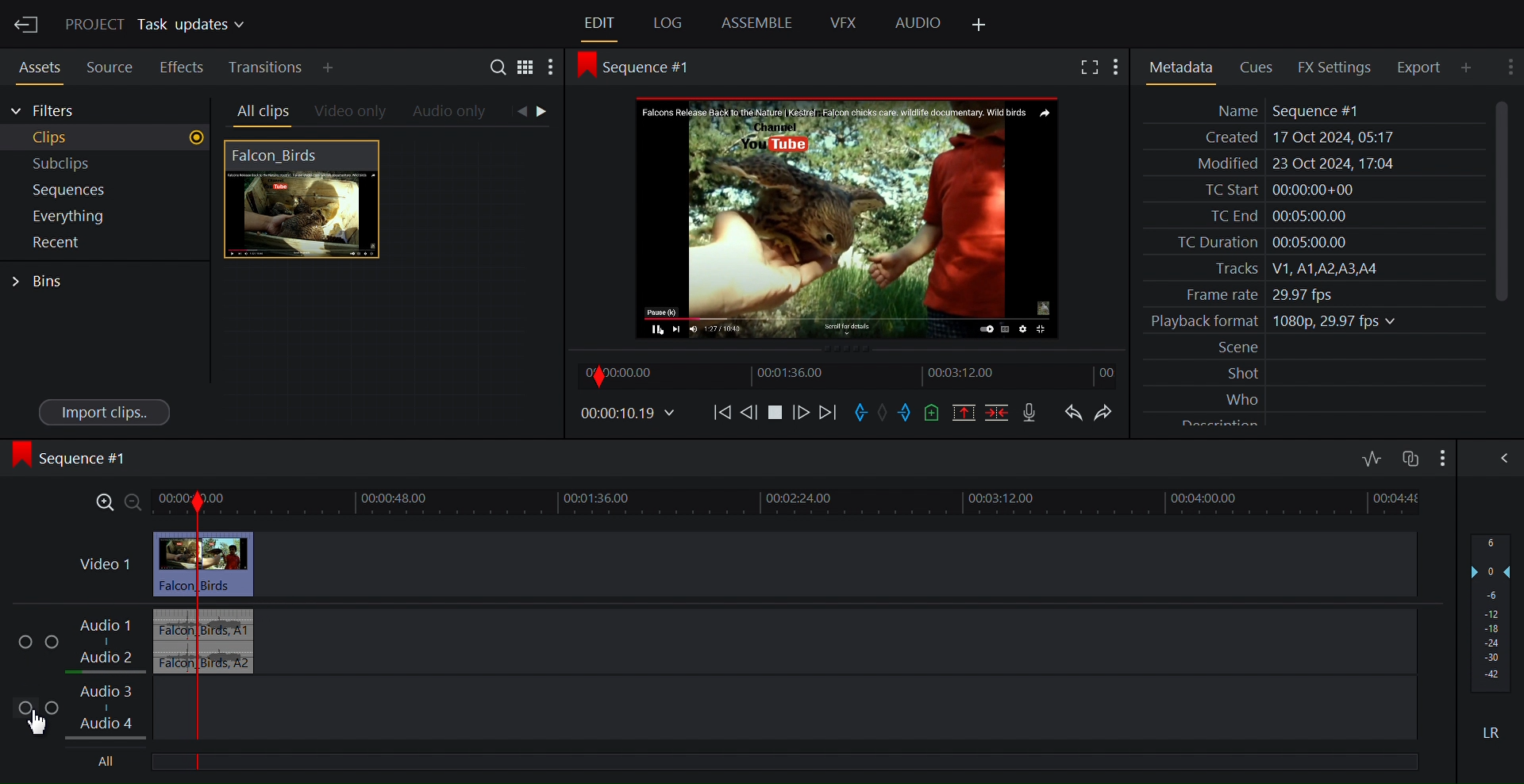  What do you see at coordinates (55, 644) in the screenshot?
I see `Solo thistrack` at bounding box center [55, 644].